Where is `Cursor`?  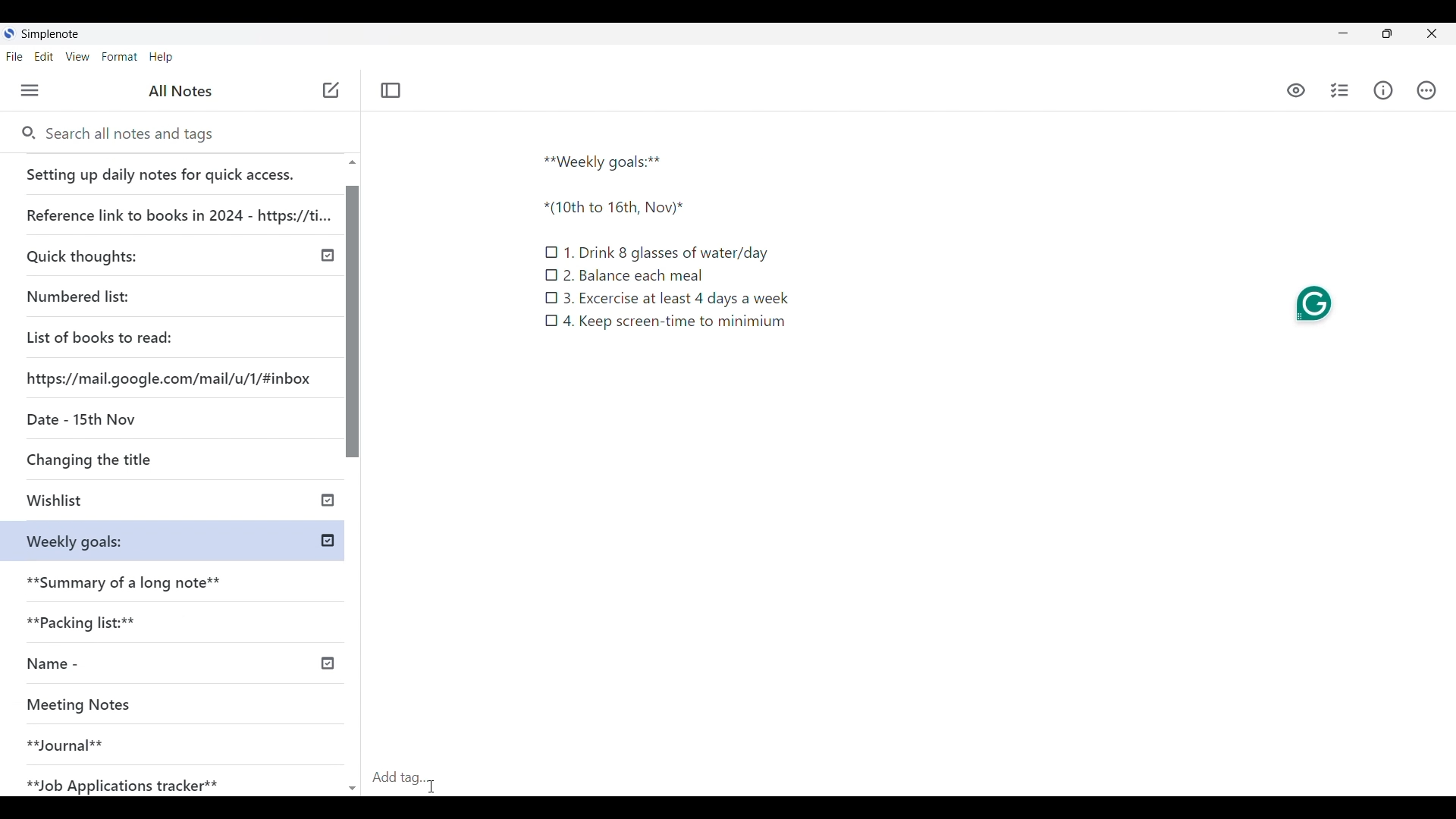
Cursor is located at coordinates (431, 786).